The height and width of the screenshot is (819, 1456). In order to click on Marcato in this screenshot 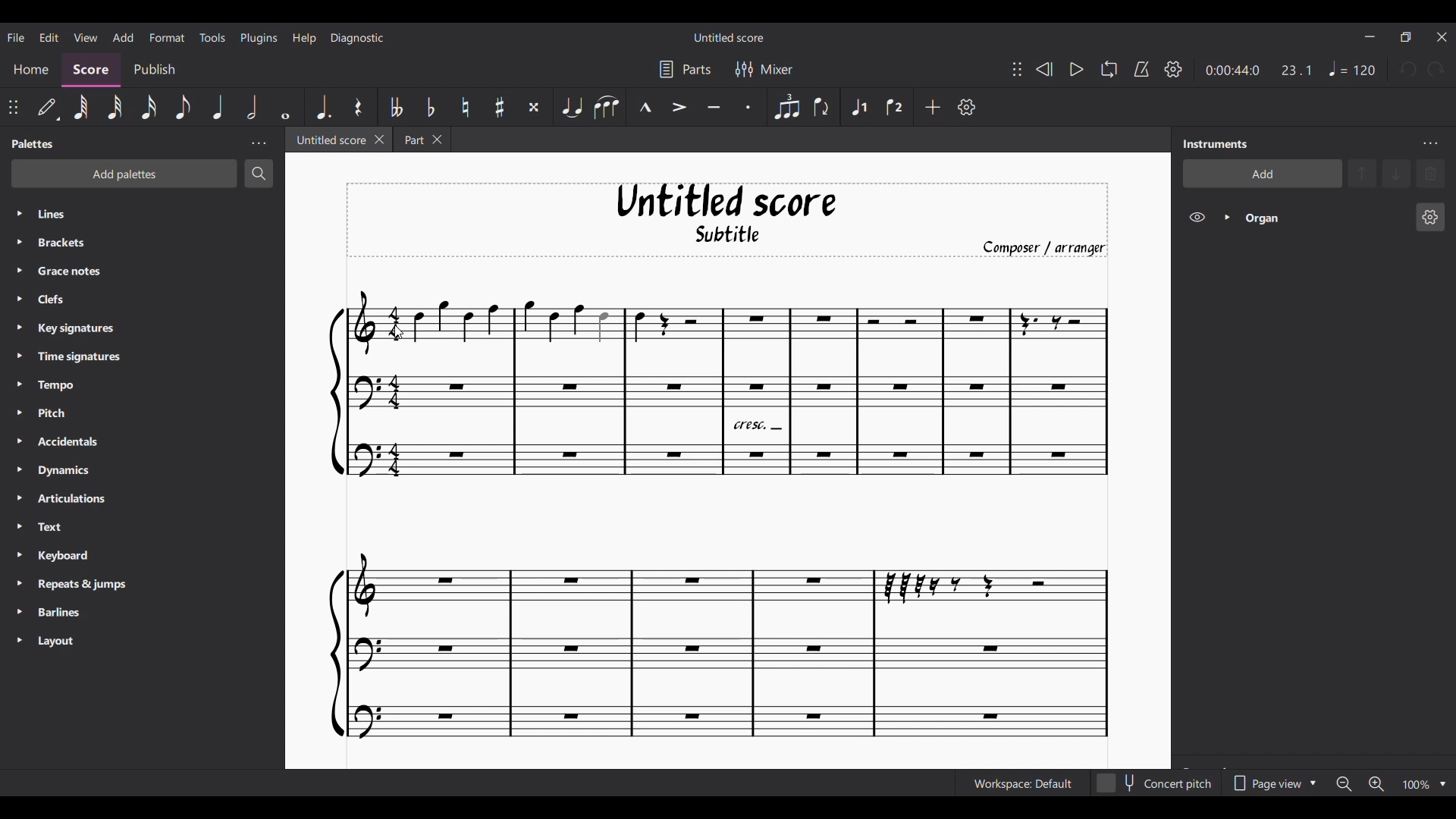, I will do `click(645, 107)`.